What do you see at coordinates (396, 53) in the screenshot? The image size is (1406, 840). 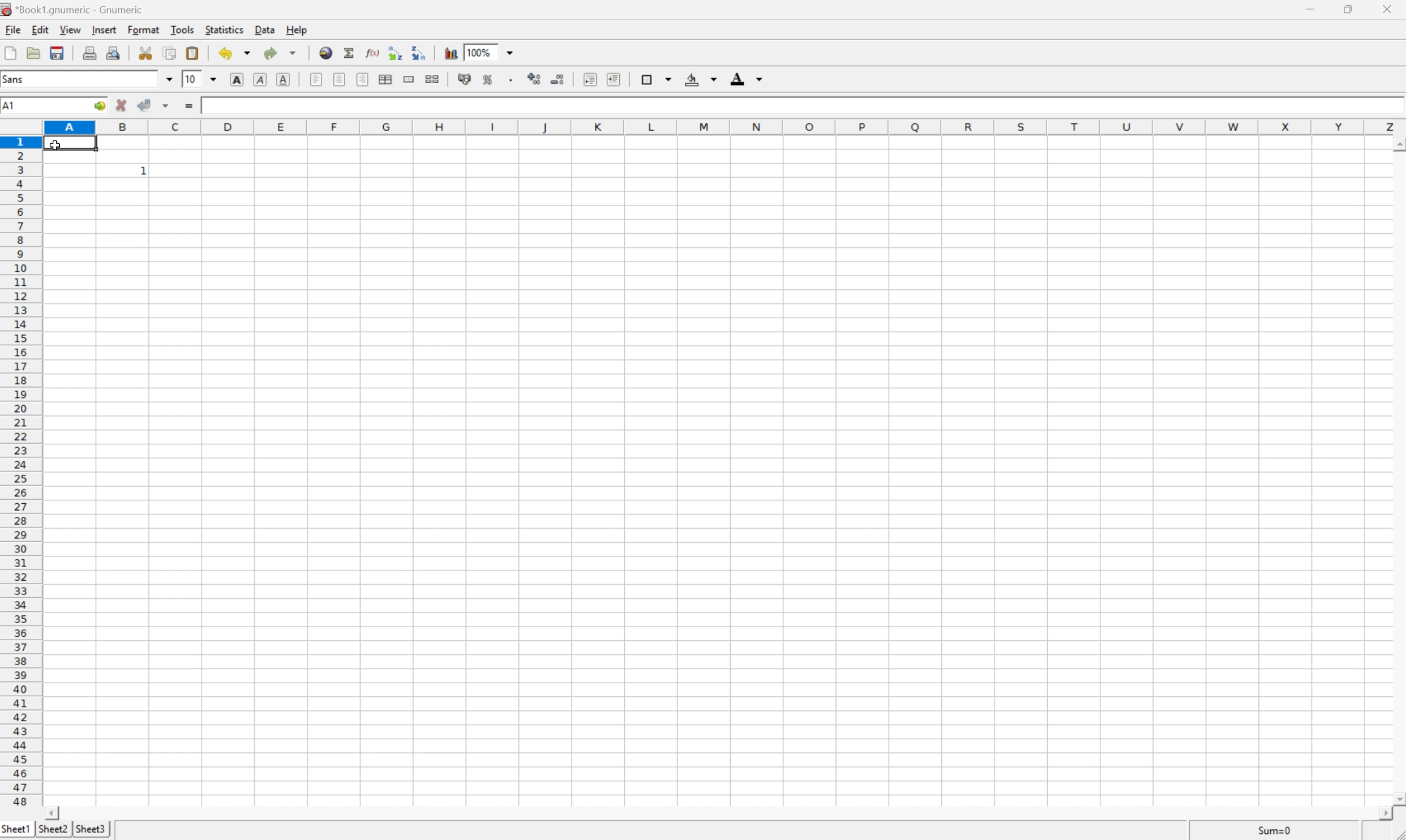 I see `sort the selected region in ascending order based on the first column selected` at bounding box center [396, 53].